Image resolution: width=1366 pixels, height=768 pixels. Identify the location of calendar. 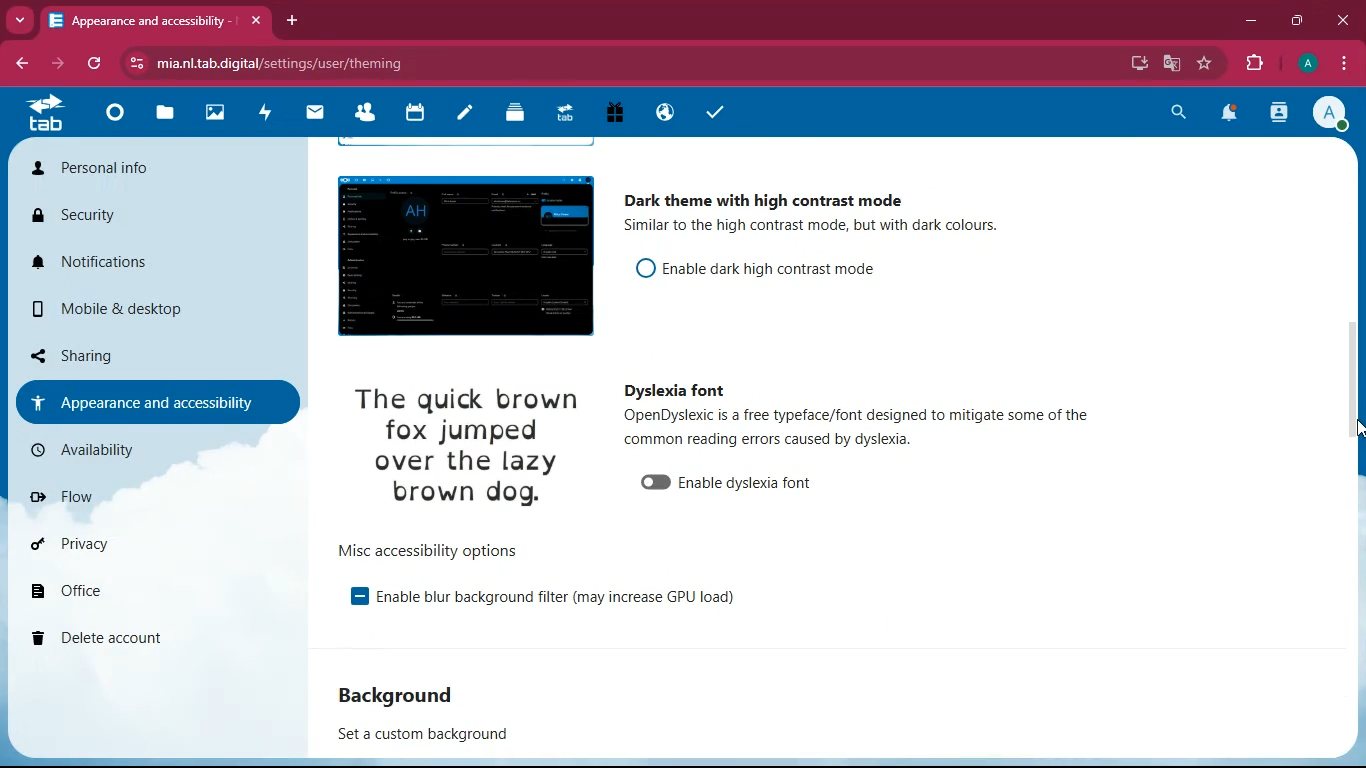
(417, 112).